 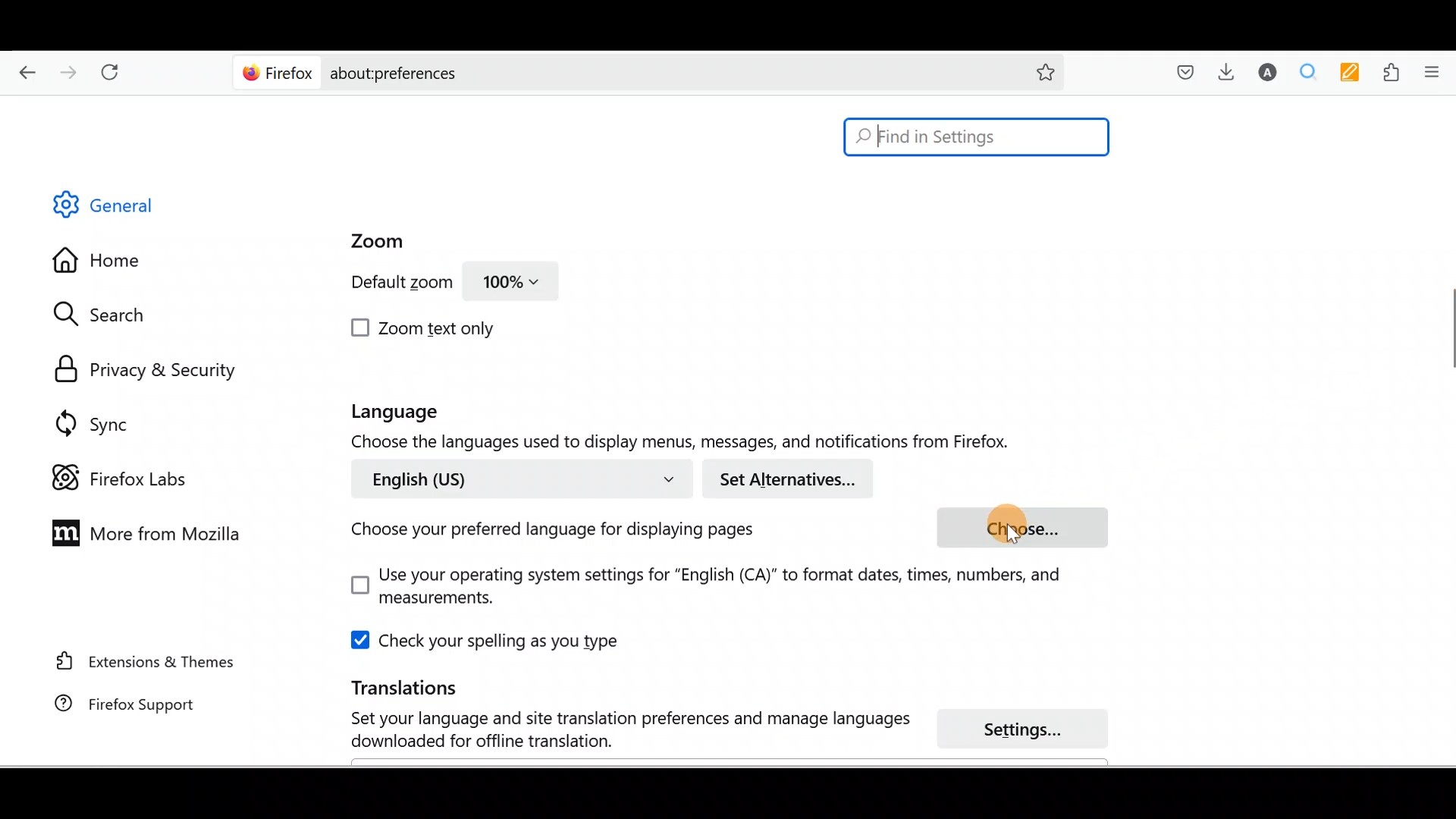 I want to click on Zoom, so click(x=370, y=242).